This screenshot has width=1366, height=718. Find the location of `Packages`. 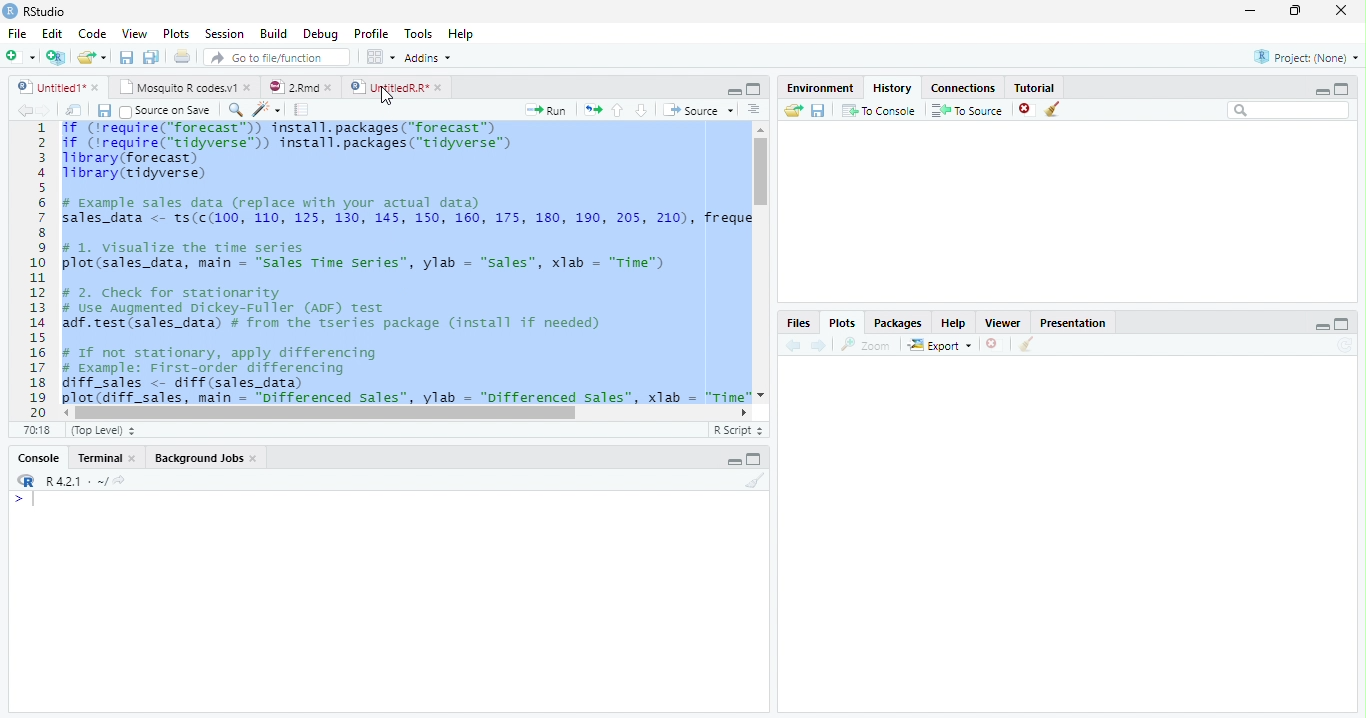

Packages is located at coordinates (899, 324).